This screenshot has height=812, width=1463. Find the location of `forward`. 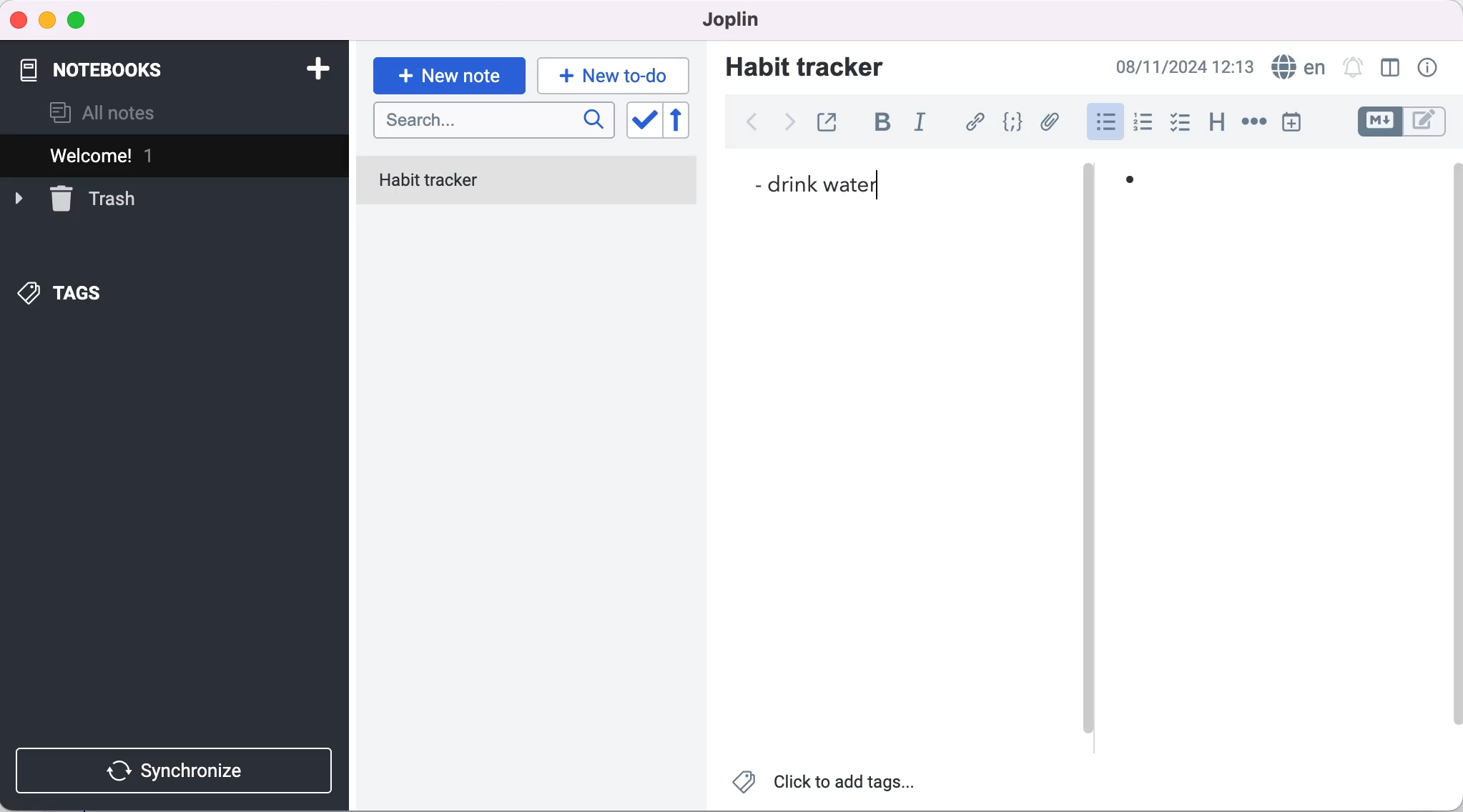

forward is located at coordinates (787, 127).